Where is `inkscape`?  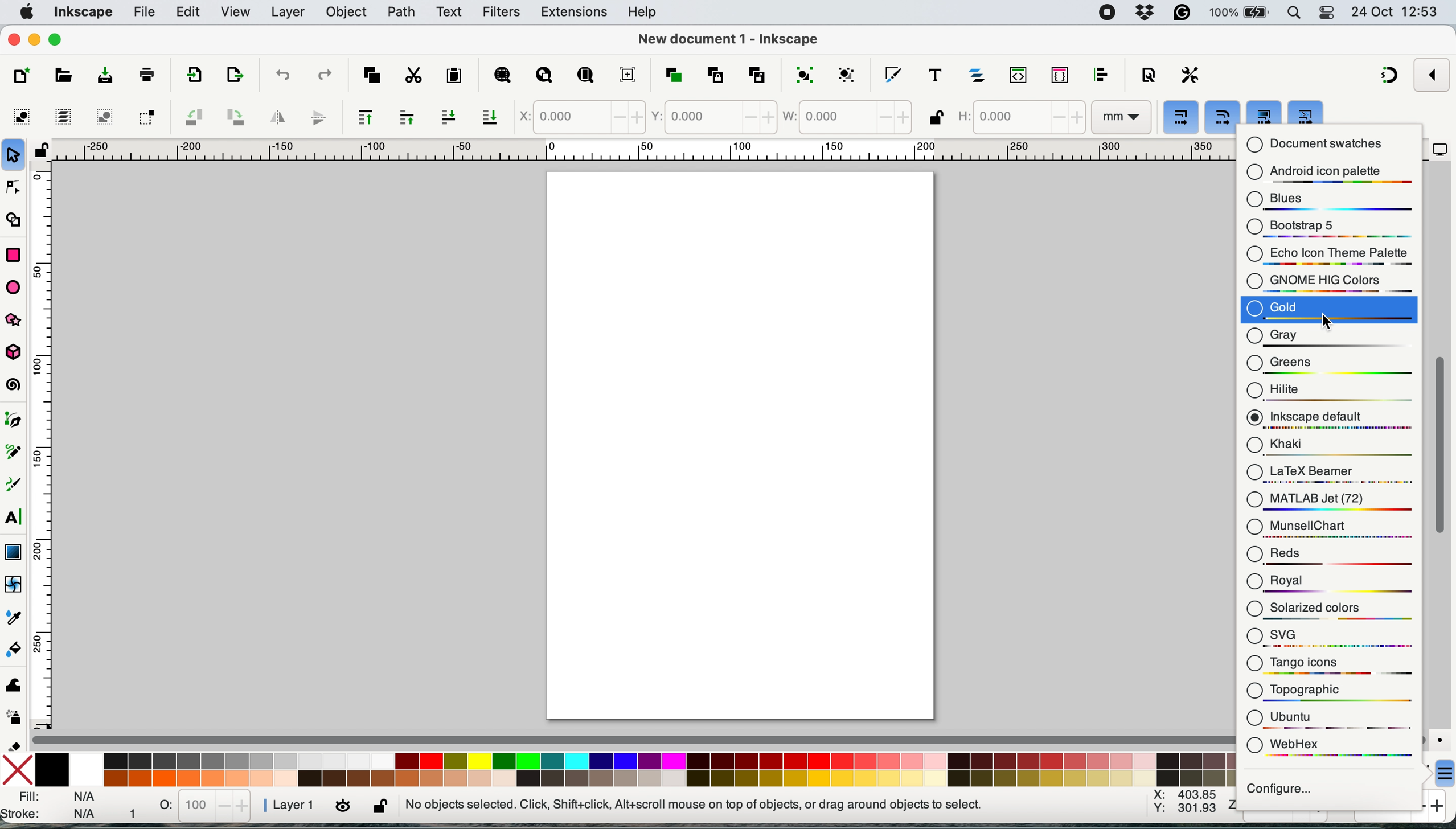
inkscape is located at coordinates (84, 11).